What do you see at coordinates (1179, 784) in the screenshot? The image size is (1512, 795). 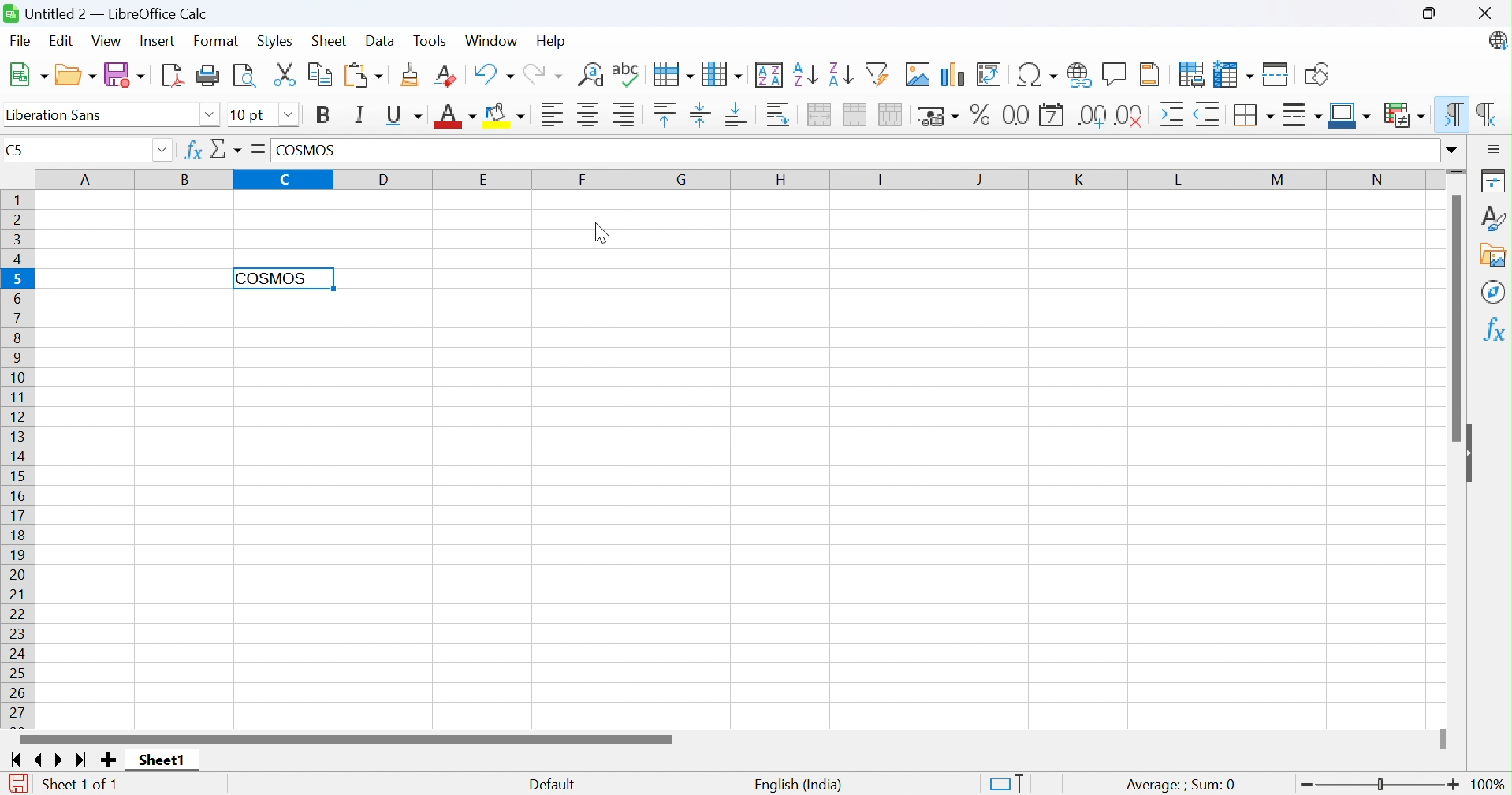 I see `Average: ; Sum:0` at bounding box center [1179, 784].